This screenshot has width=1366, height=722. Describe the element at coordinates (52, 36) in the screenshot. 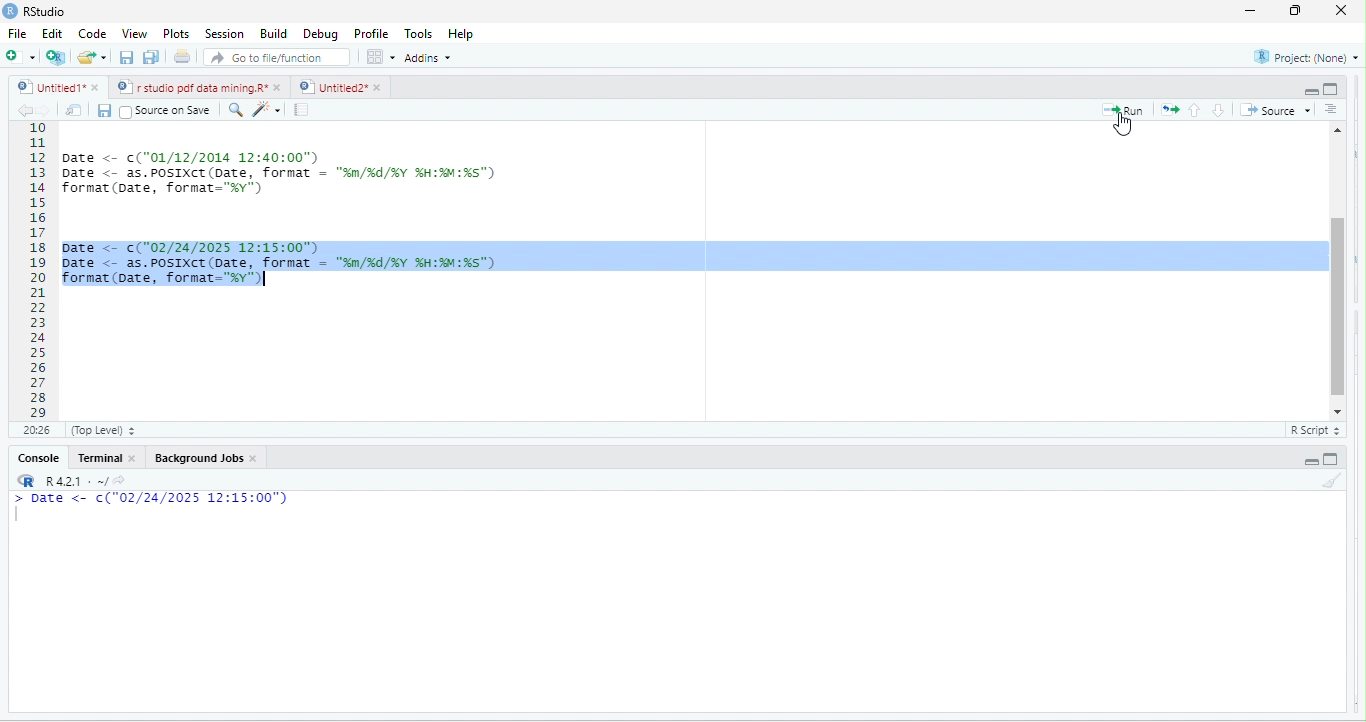

I see `Edit` at that location.